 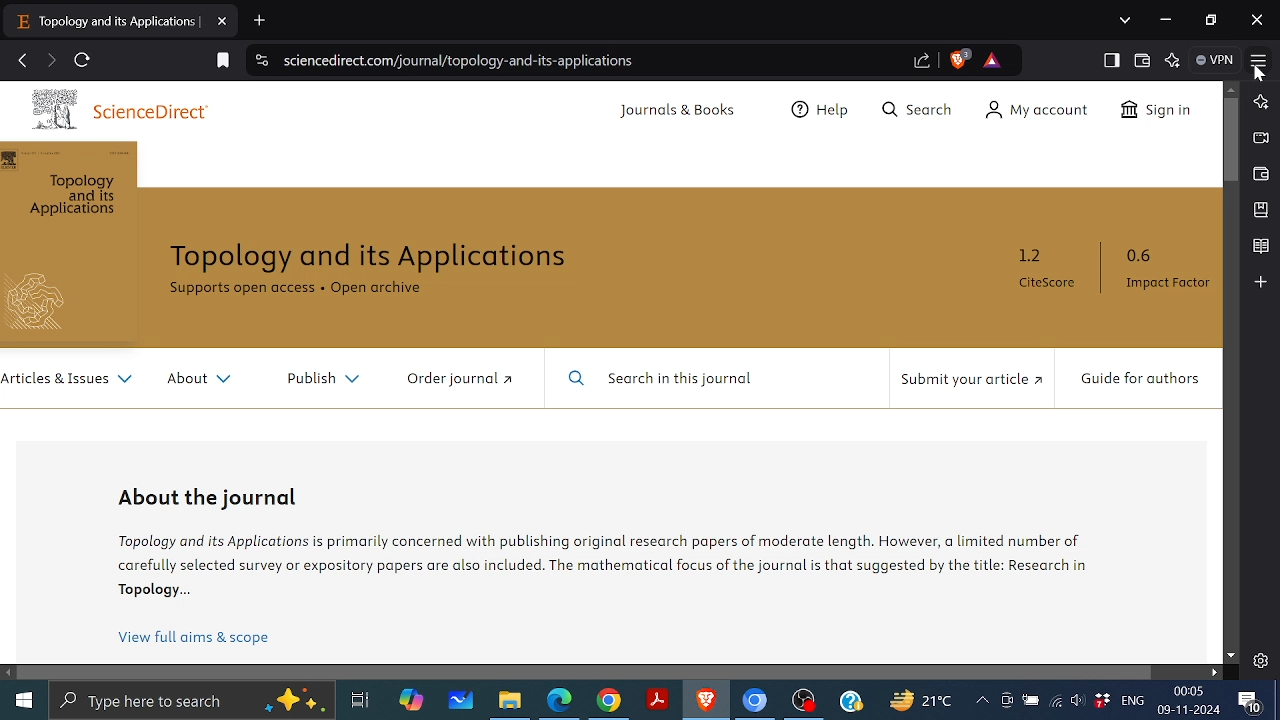 What do you see at coordinates (990, 60) in the screenshot?
I see `Brave Rewards` at bounding box center [990, 60].